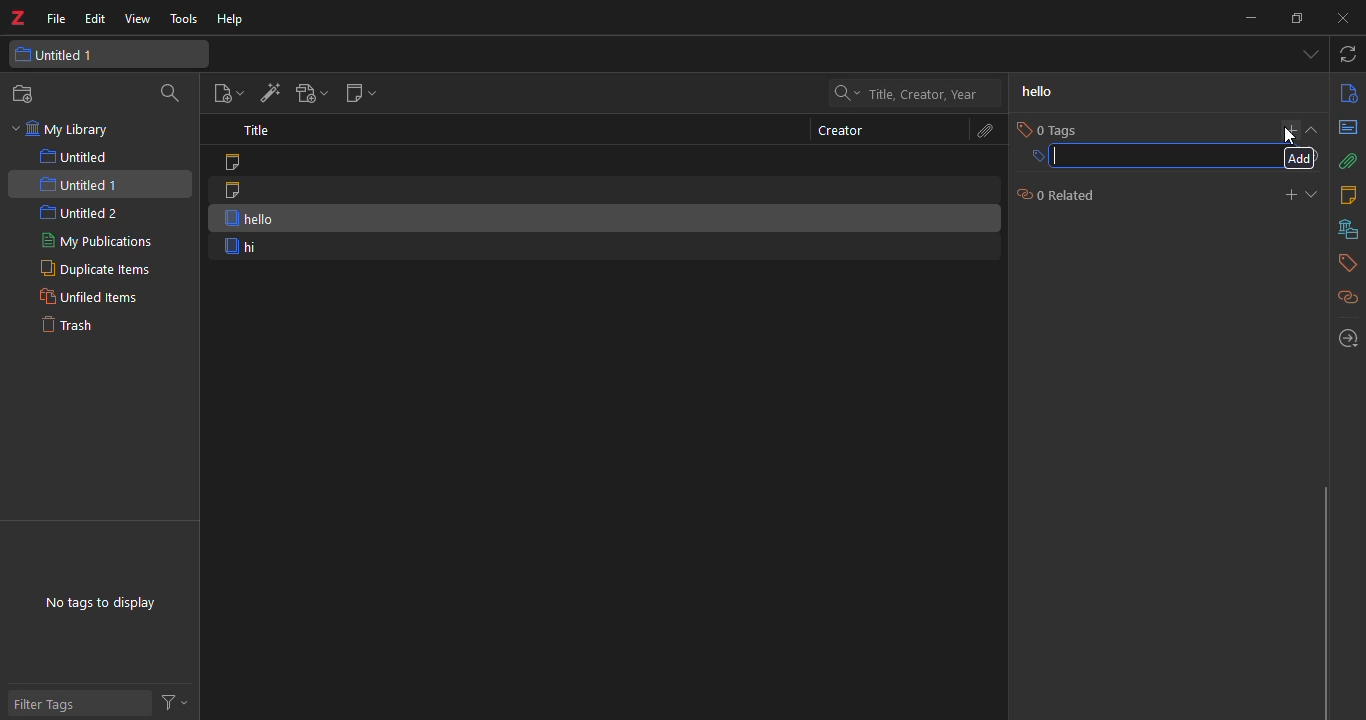 This screenshot has width=1366, height=720. What do you see at coordinates (1346, 94) in the screenshot?
I see `info` at bounding box center [1346, 94].